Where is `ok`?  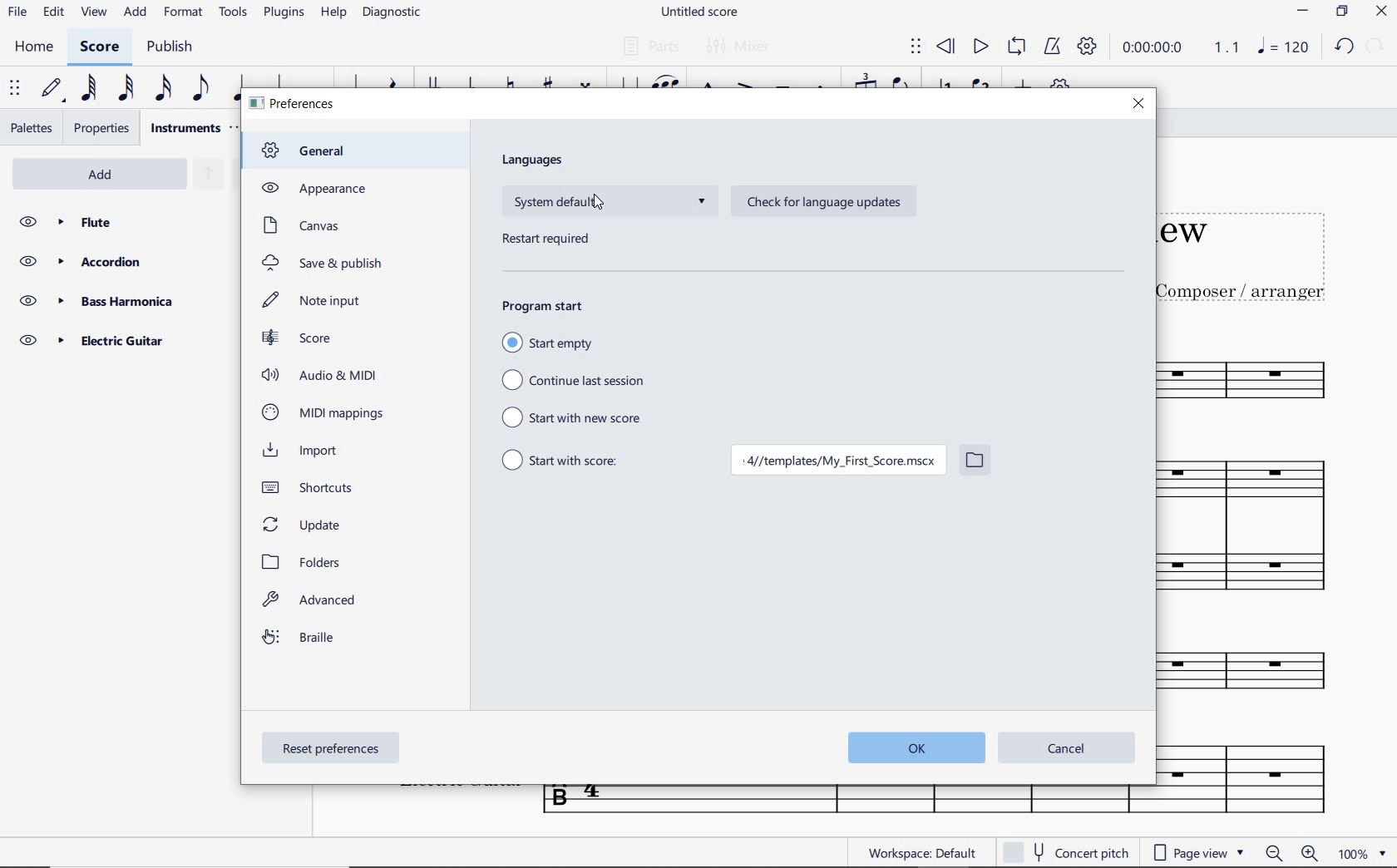
ok is located at coordinates (911, 748).